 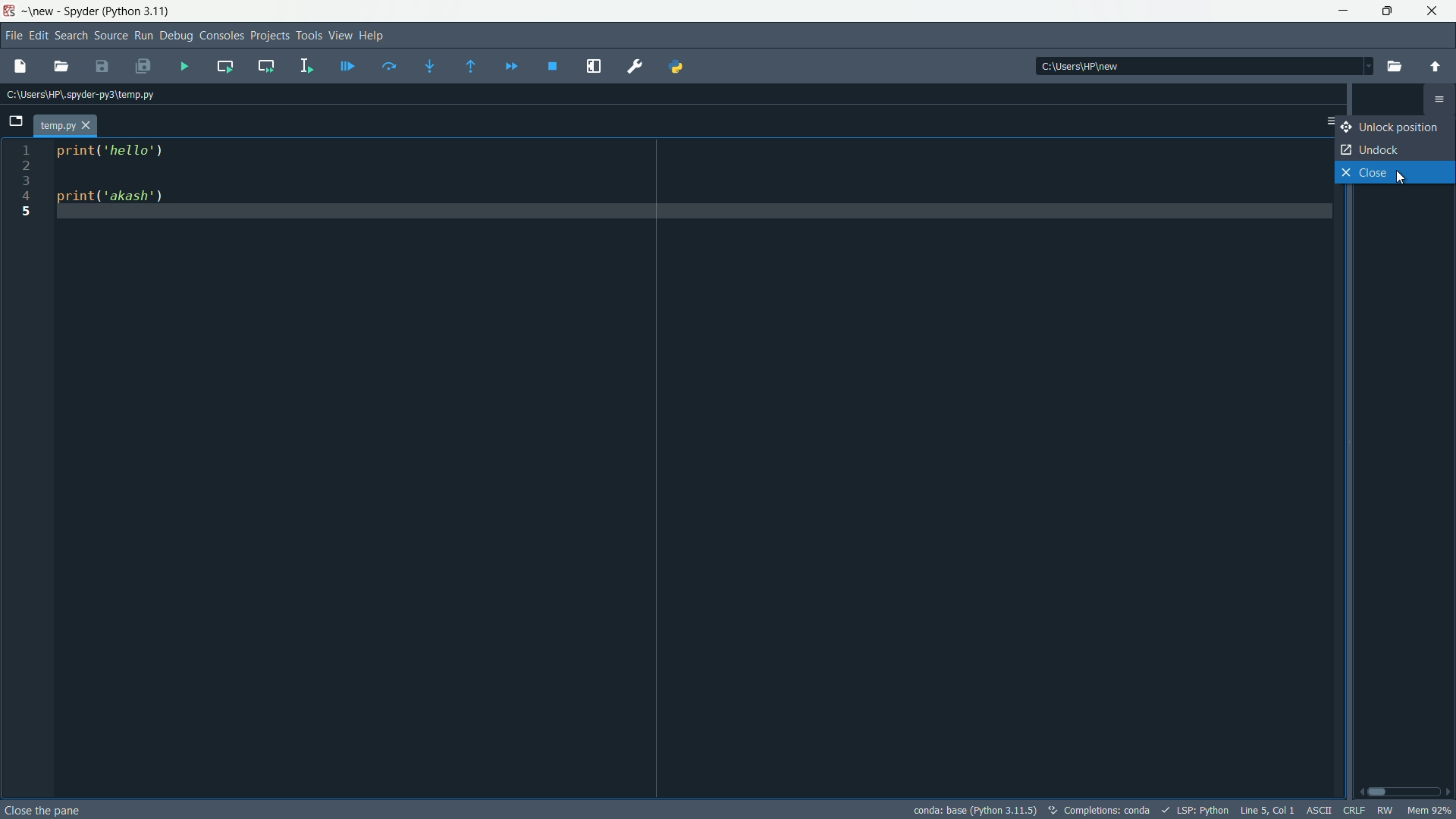 I want to click on LSP:Python, so click(x=1199, y=810).